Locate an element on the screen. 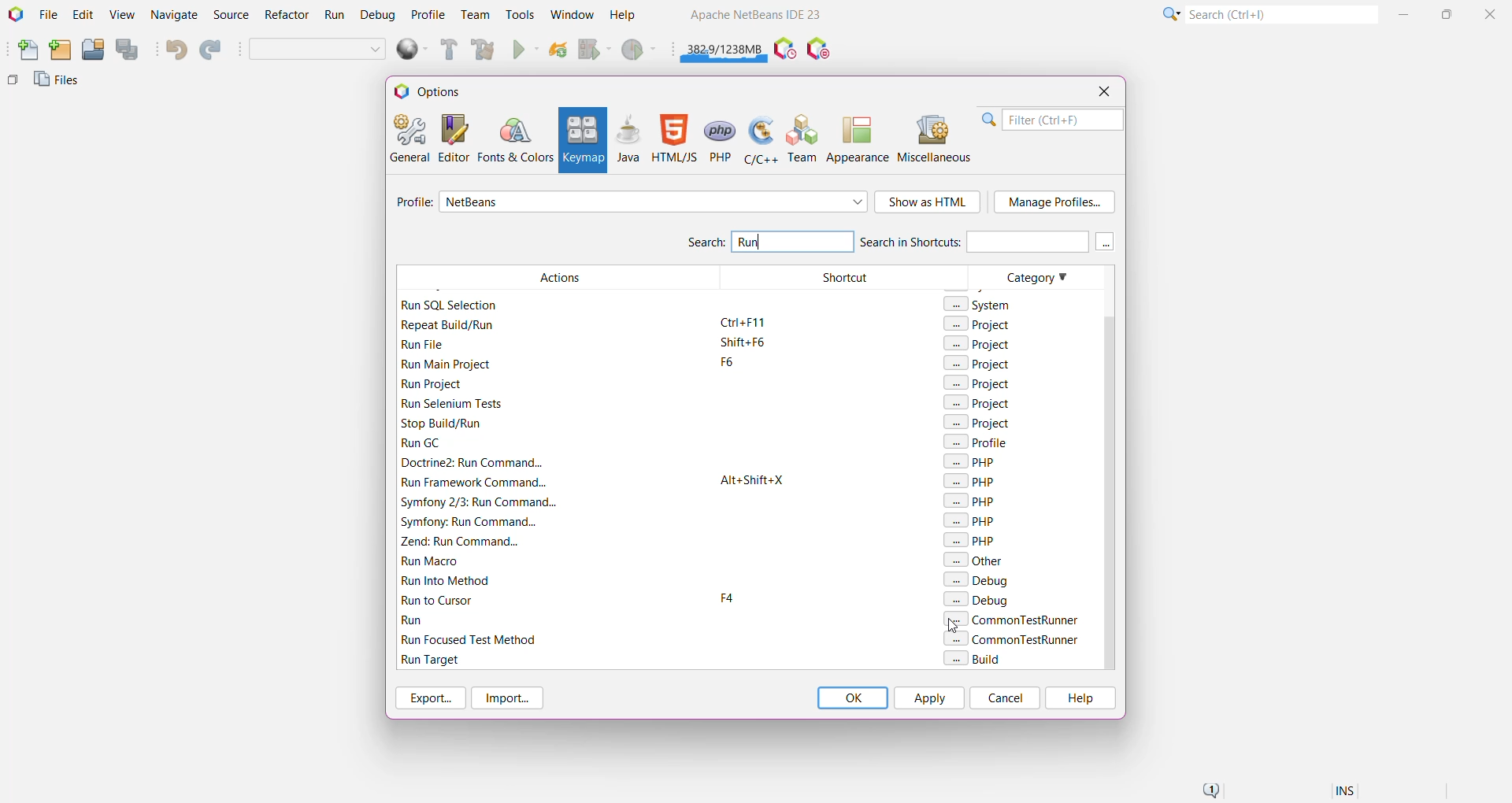 This screenshot has height=803, width=1512. Maximize is located at coordinates (1449, 13).